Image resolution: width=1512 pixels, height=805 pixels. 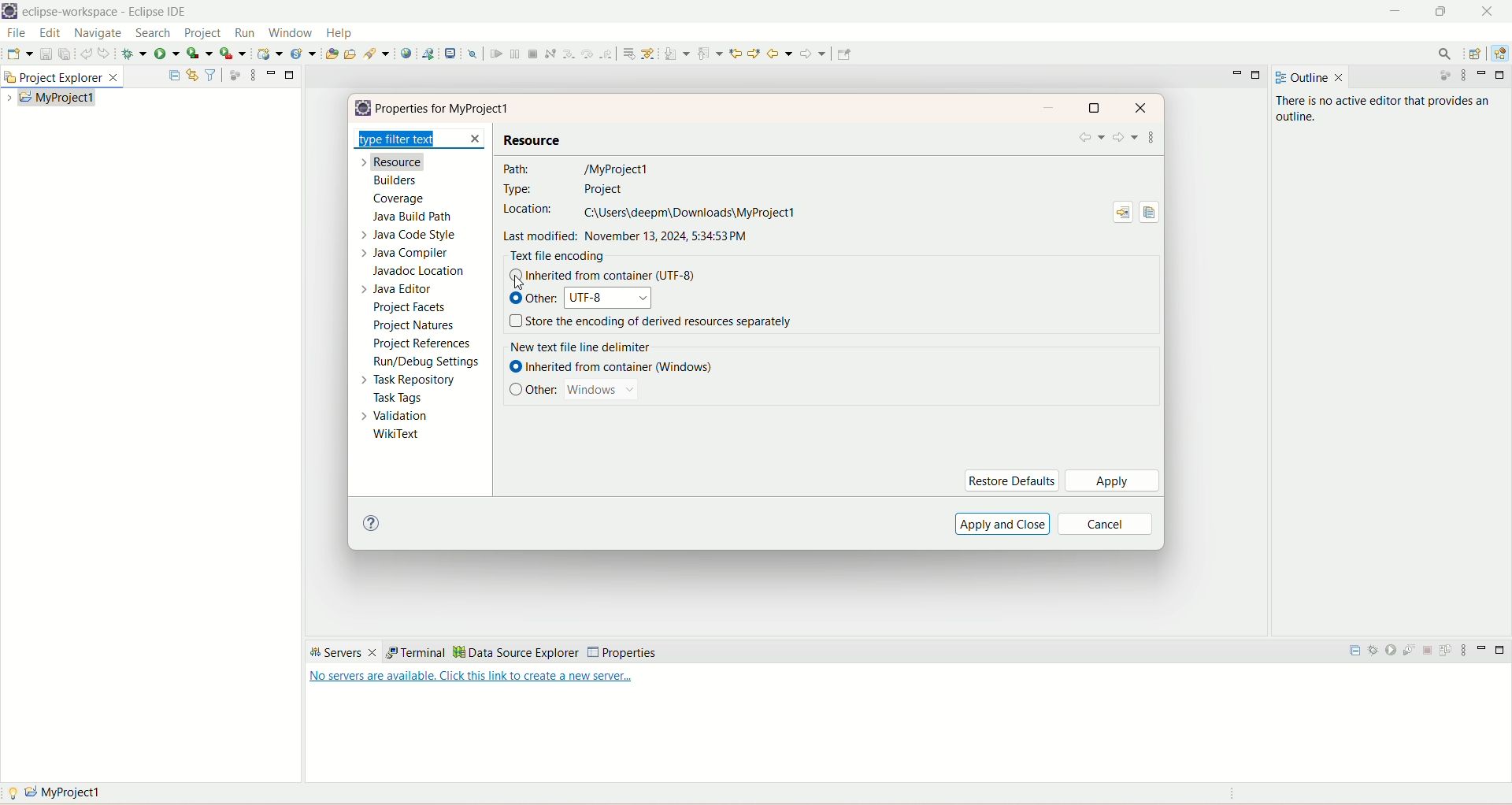 What do you see at coordinates (1104, 525) in the screenshot?
I see `cancel` at bounding box center [1104, 525].